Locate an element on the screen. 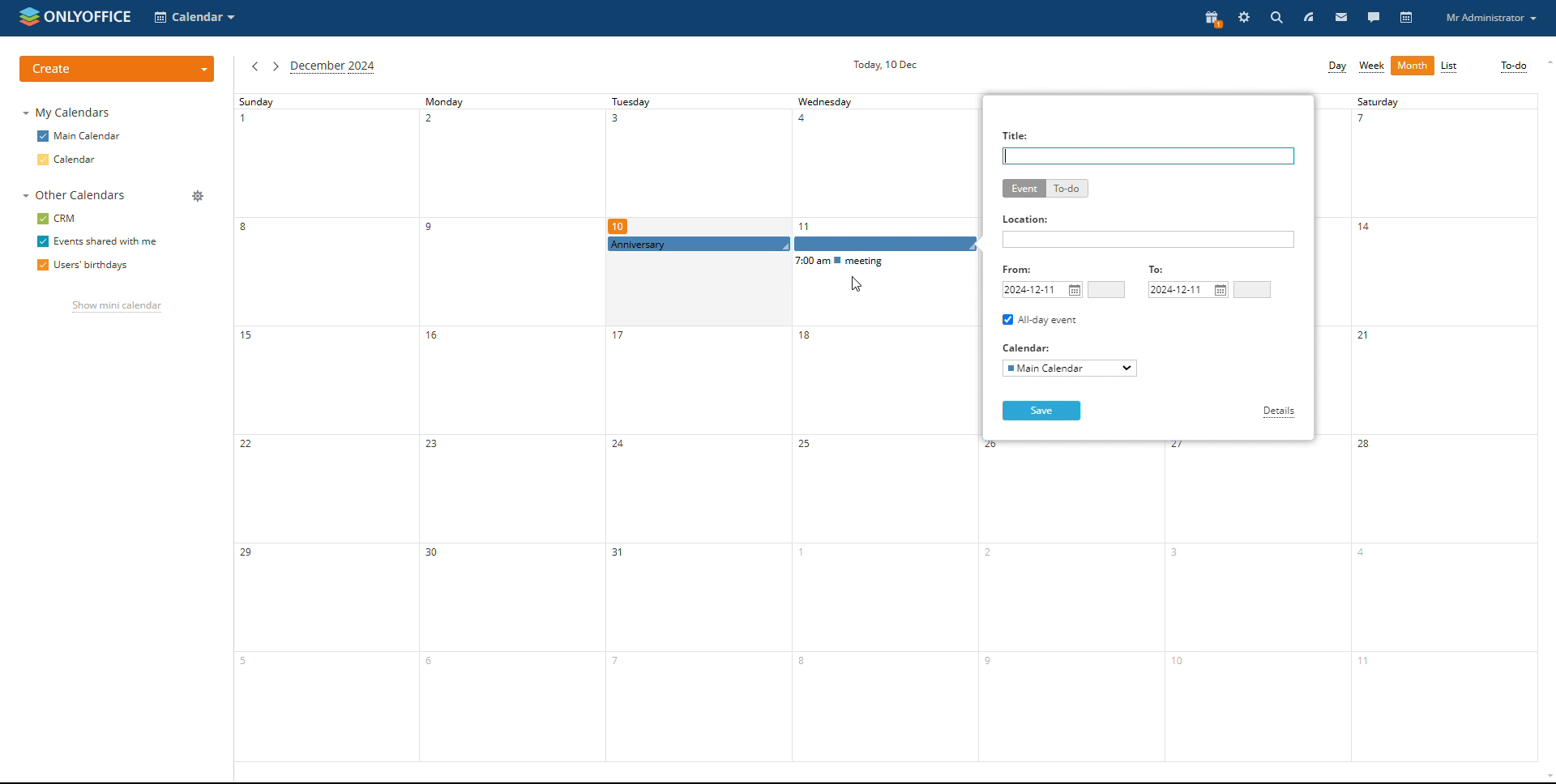 This screenshot has height=784, width=1556. saturday is located at coordinates (1444, 428).